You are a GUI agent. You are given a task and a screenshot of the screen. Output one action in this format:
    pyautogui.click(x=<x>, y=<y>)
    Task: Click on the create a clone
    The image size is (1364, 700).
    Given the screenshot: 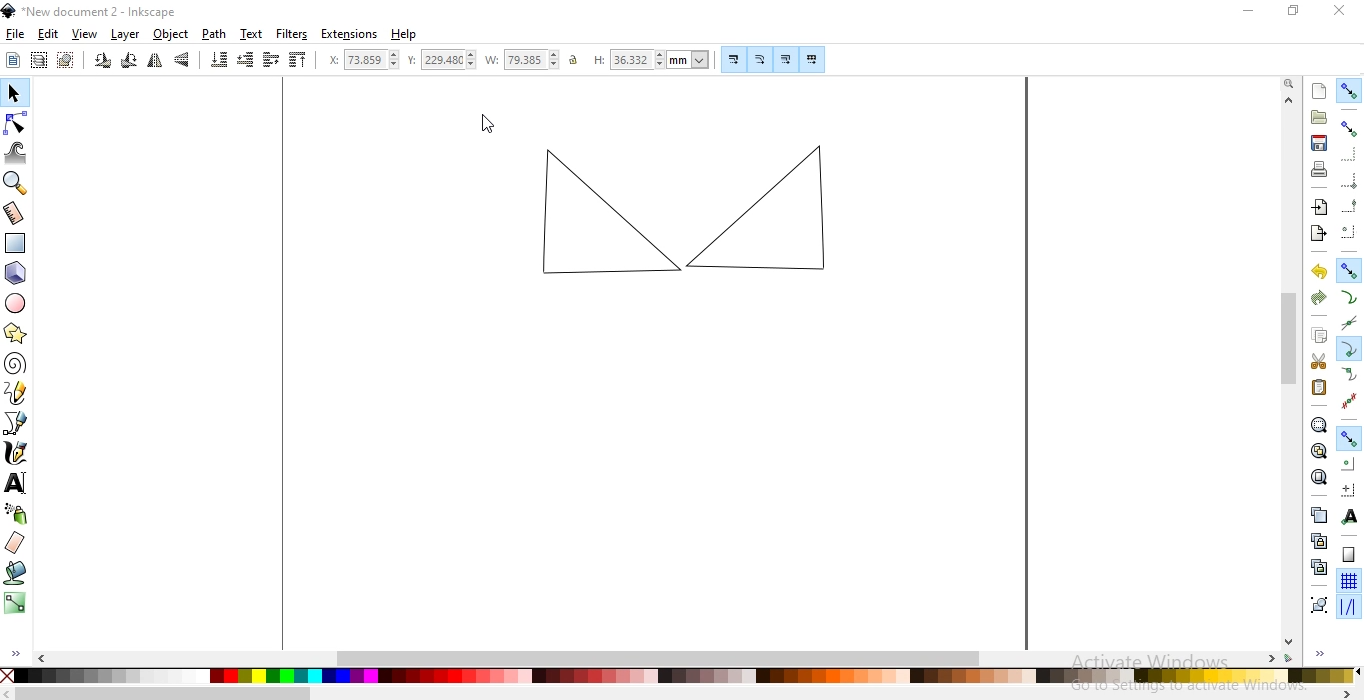 What is the action you would take?
    pyautogui.click(x=1316, y=541)
    